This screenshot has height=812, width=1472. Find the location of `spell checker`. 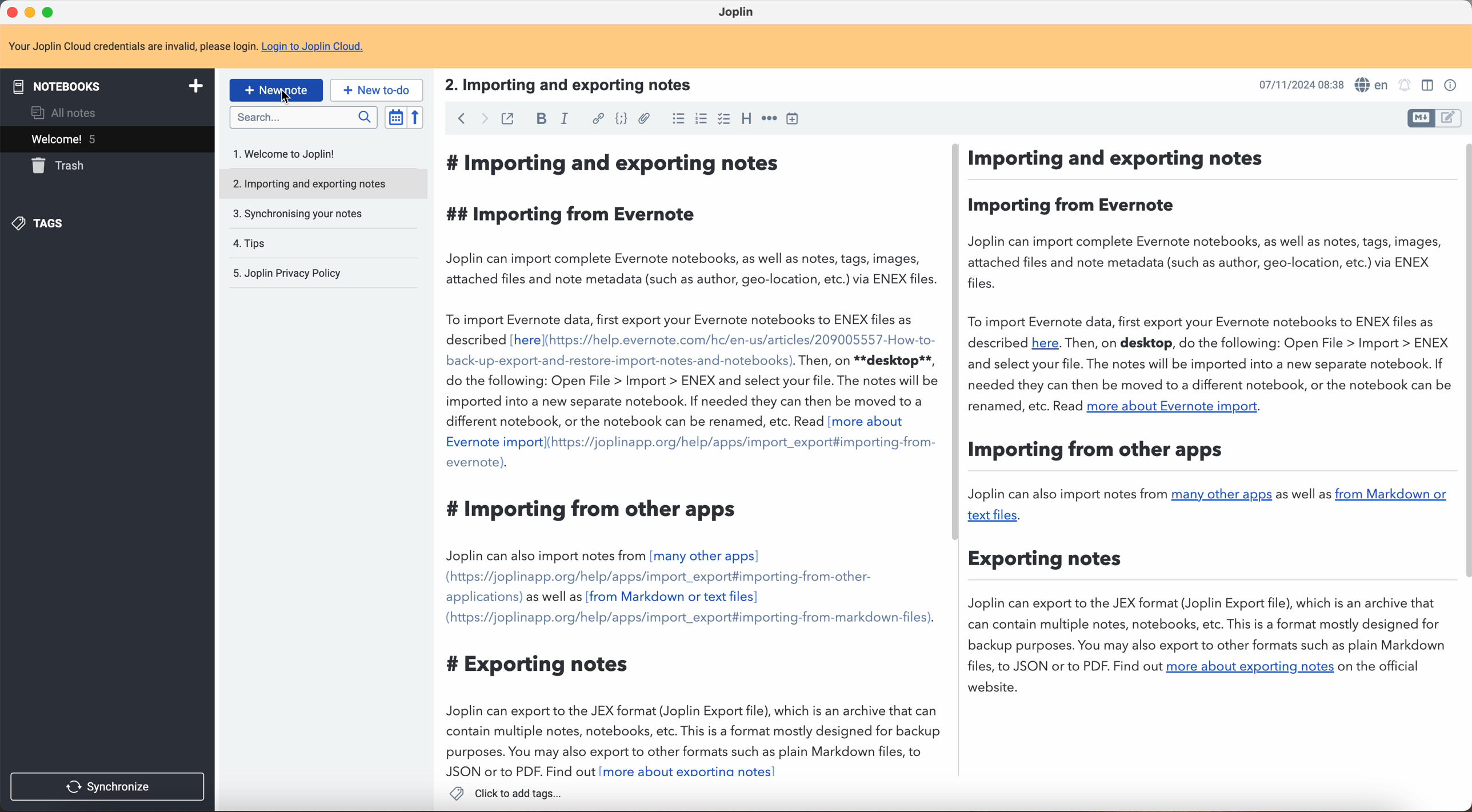

spell checker is located at coordinates (1373, 84).